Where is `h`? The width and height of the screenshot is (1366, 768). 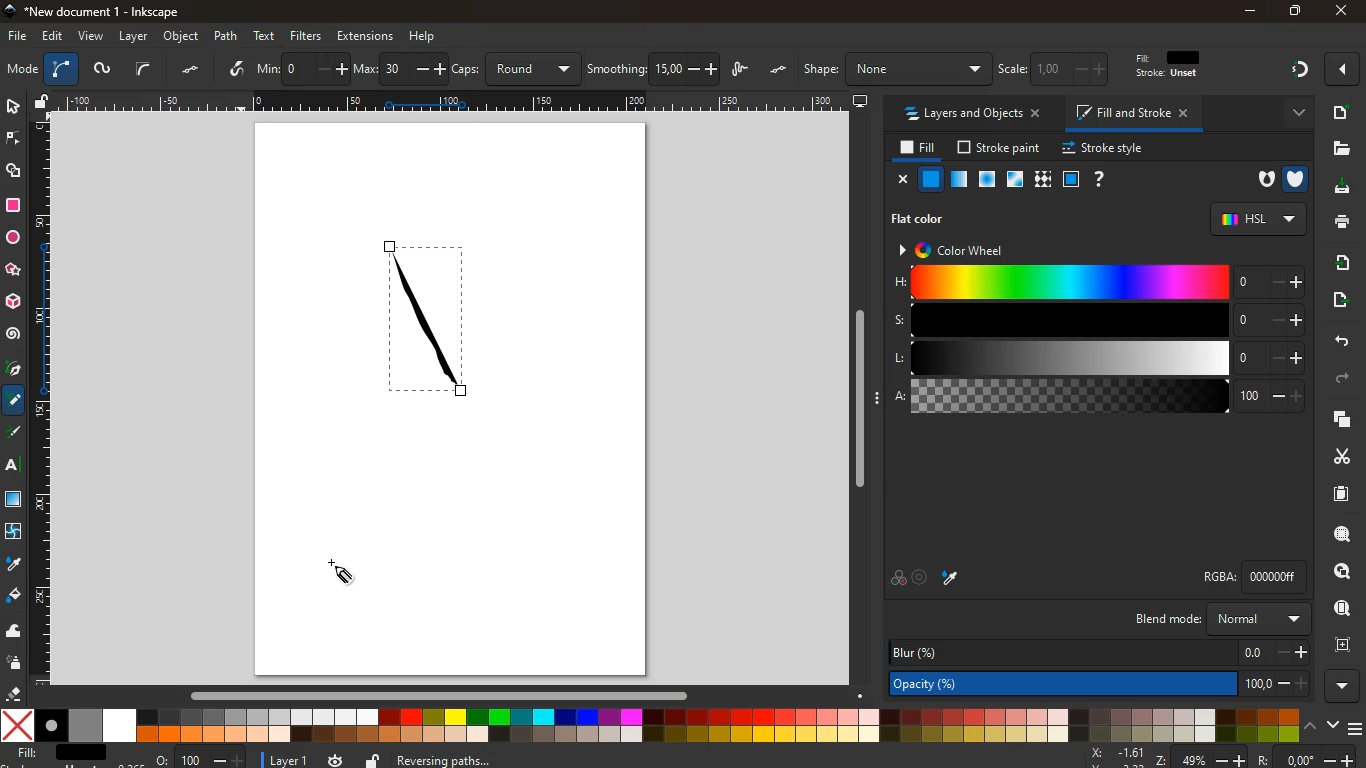
h is located at coordinates (1099, 281).